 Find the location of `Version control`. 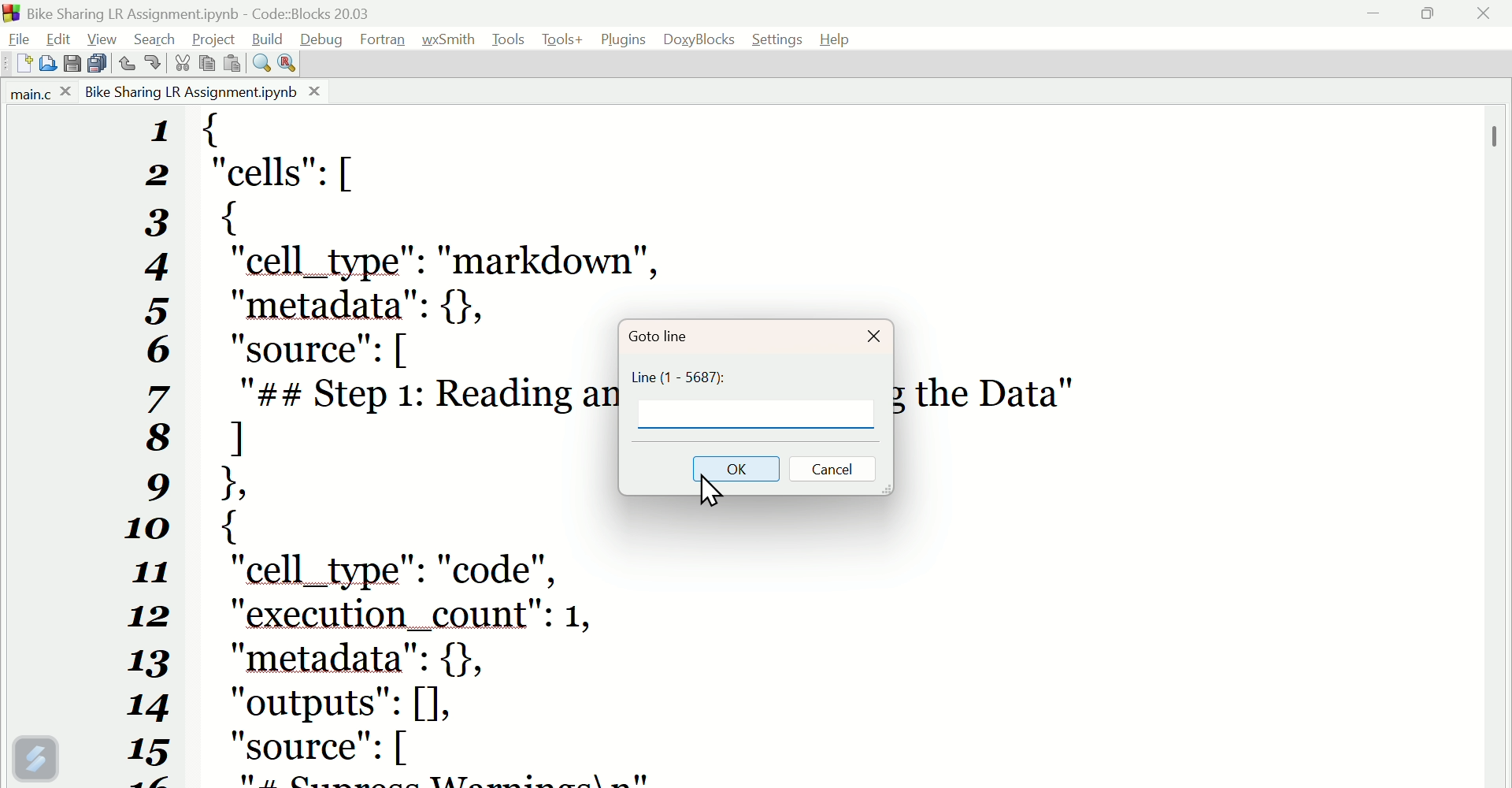

Version control is located at coordinates (35, 758).